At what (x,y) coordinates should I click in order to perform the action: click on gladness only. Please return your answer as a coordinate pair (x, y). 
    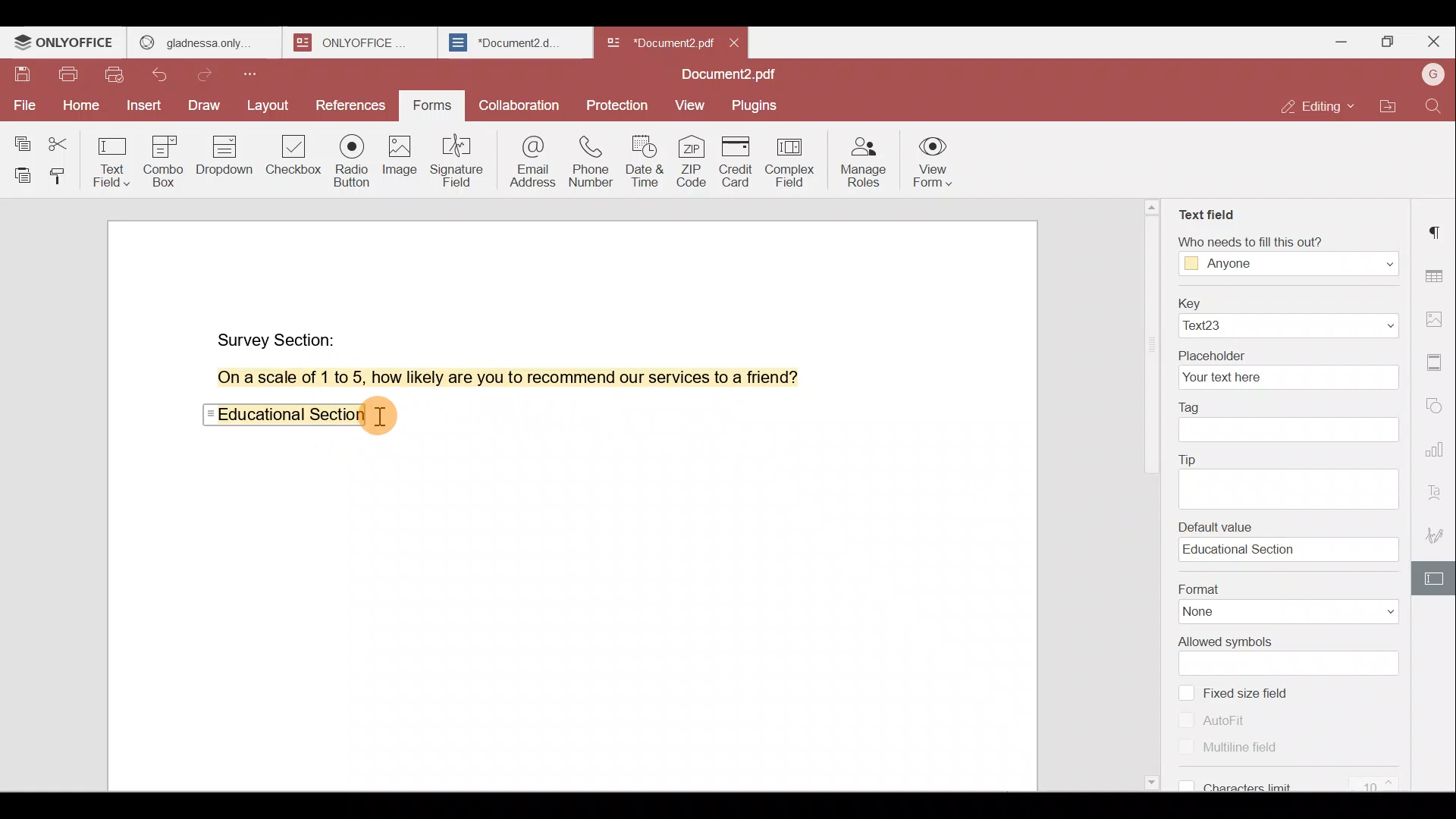
    Looking at the image, I should click on (204, 42).